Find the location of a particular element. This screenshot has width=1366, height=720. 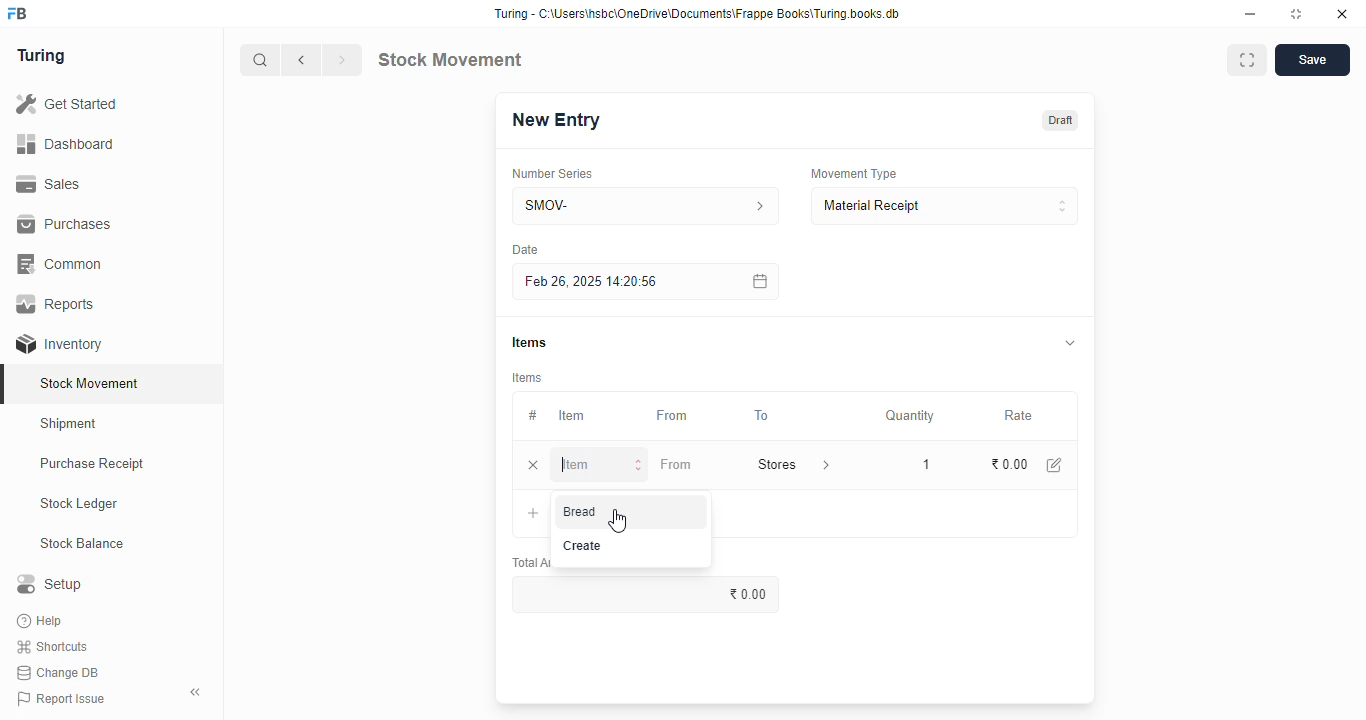

movement type is located at coordinates (853, 173).